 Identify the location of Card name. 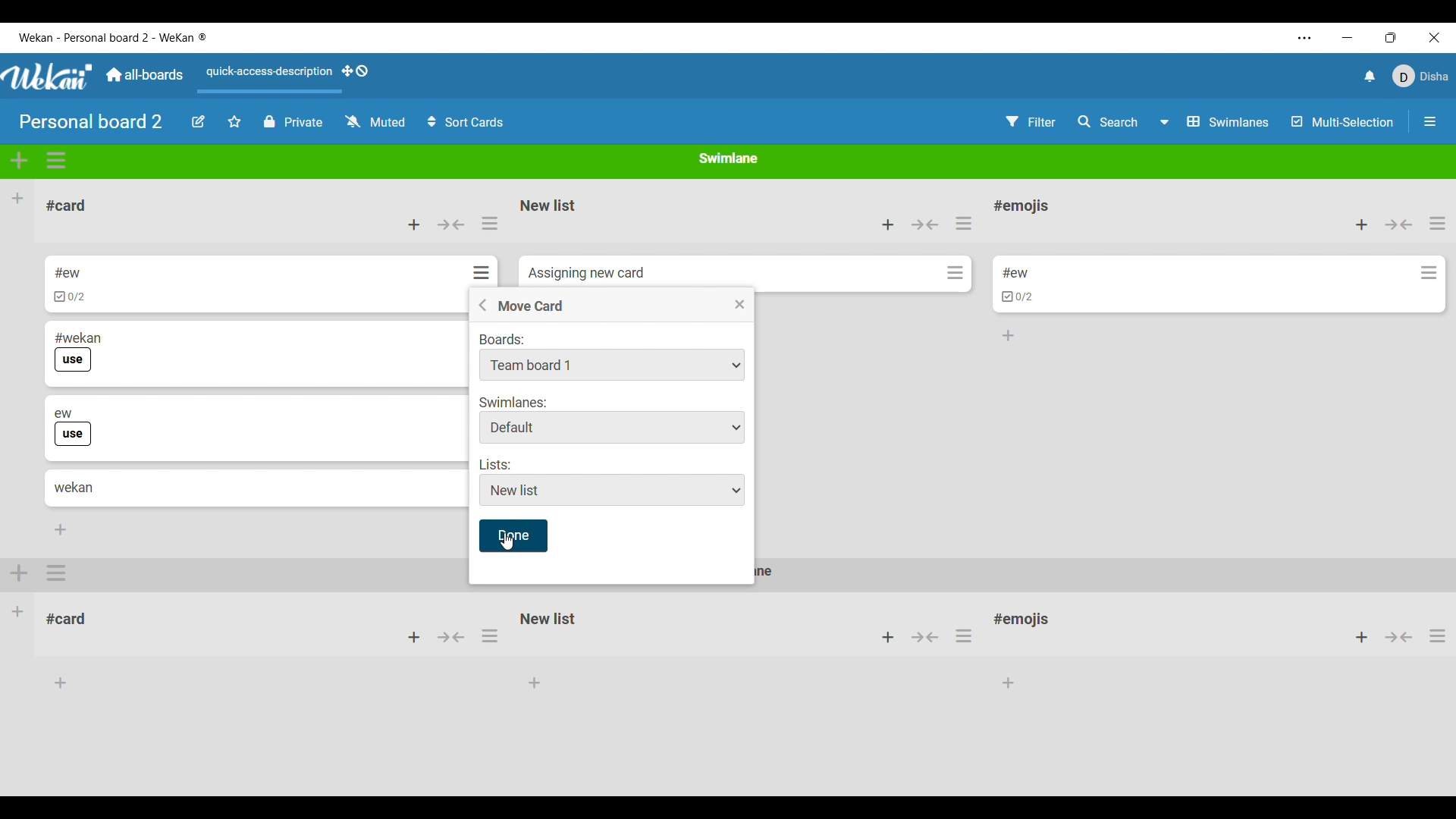
(586, 274).